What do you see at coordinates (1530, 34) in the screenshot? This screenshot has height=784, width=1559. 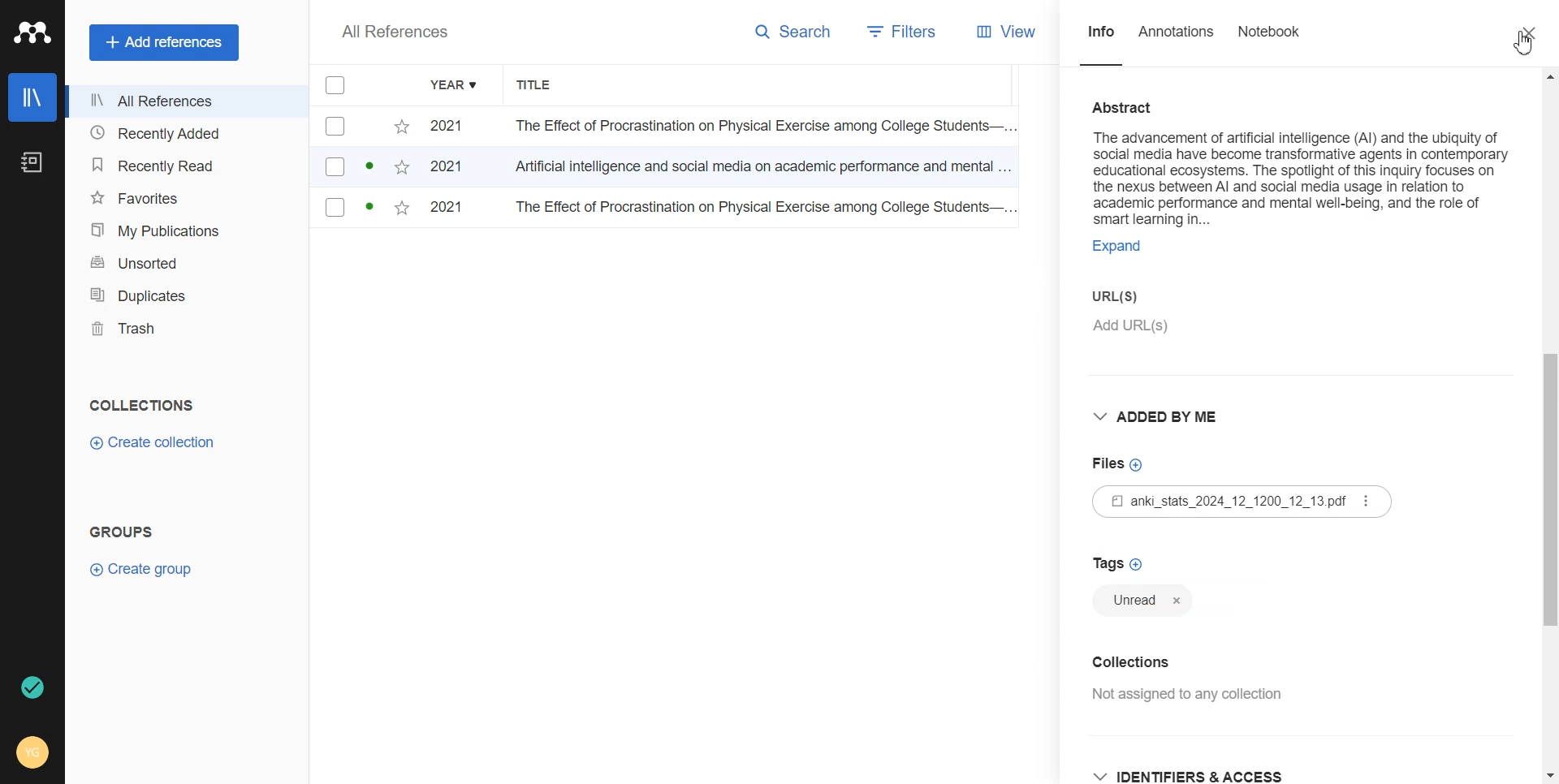 I see `Close` at bounding box center [1530, 34].